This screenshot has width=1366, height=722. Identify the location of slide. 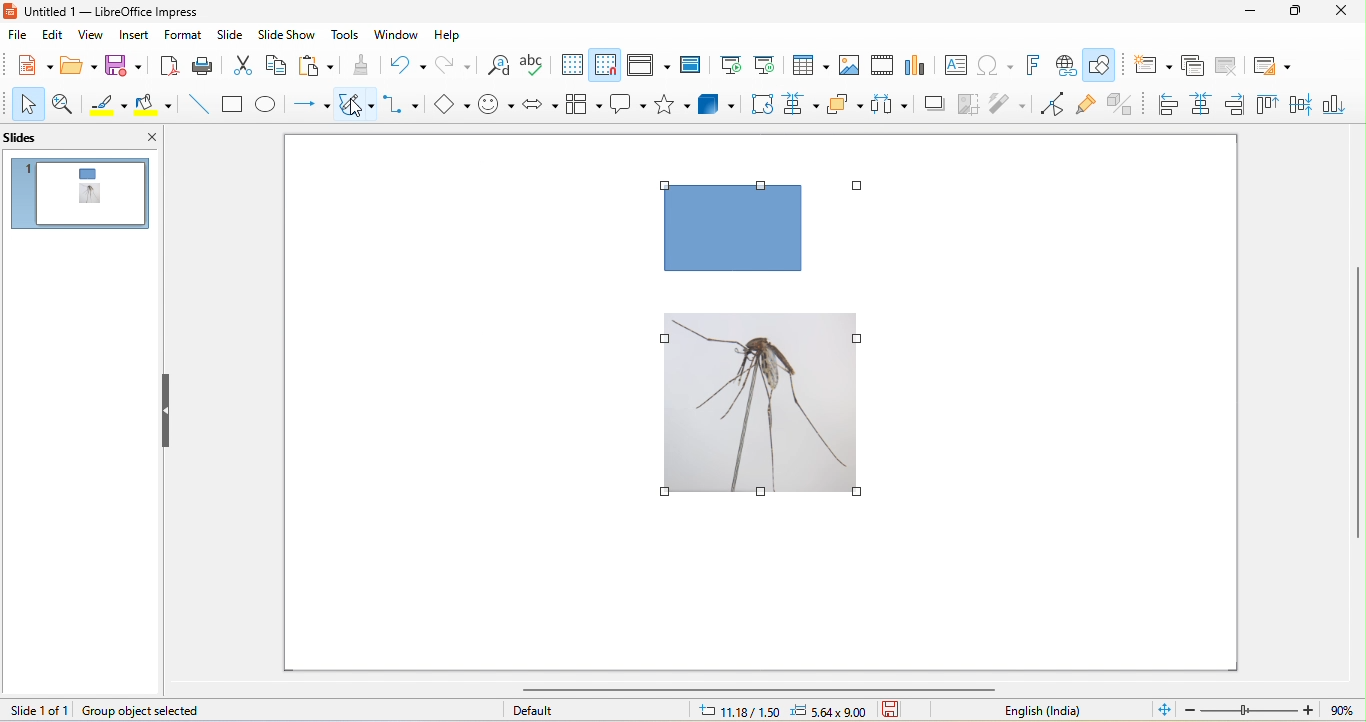
(235, 36).